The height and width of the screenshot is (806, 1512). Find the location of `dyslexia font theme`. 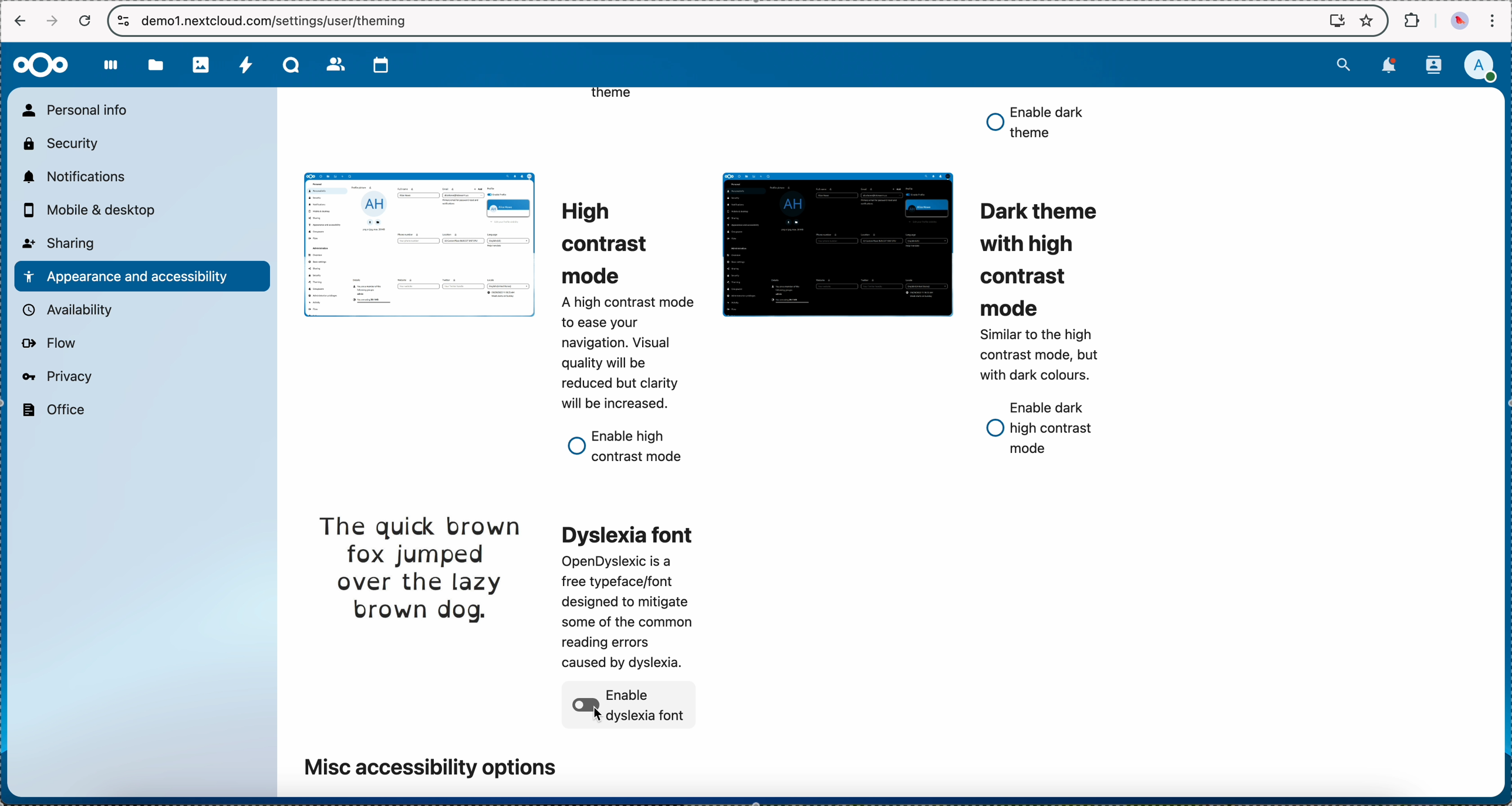

dyslexia font theme is located at coordinates (634, 594).